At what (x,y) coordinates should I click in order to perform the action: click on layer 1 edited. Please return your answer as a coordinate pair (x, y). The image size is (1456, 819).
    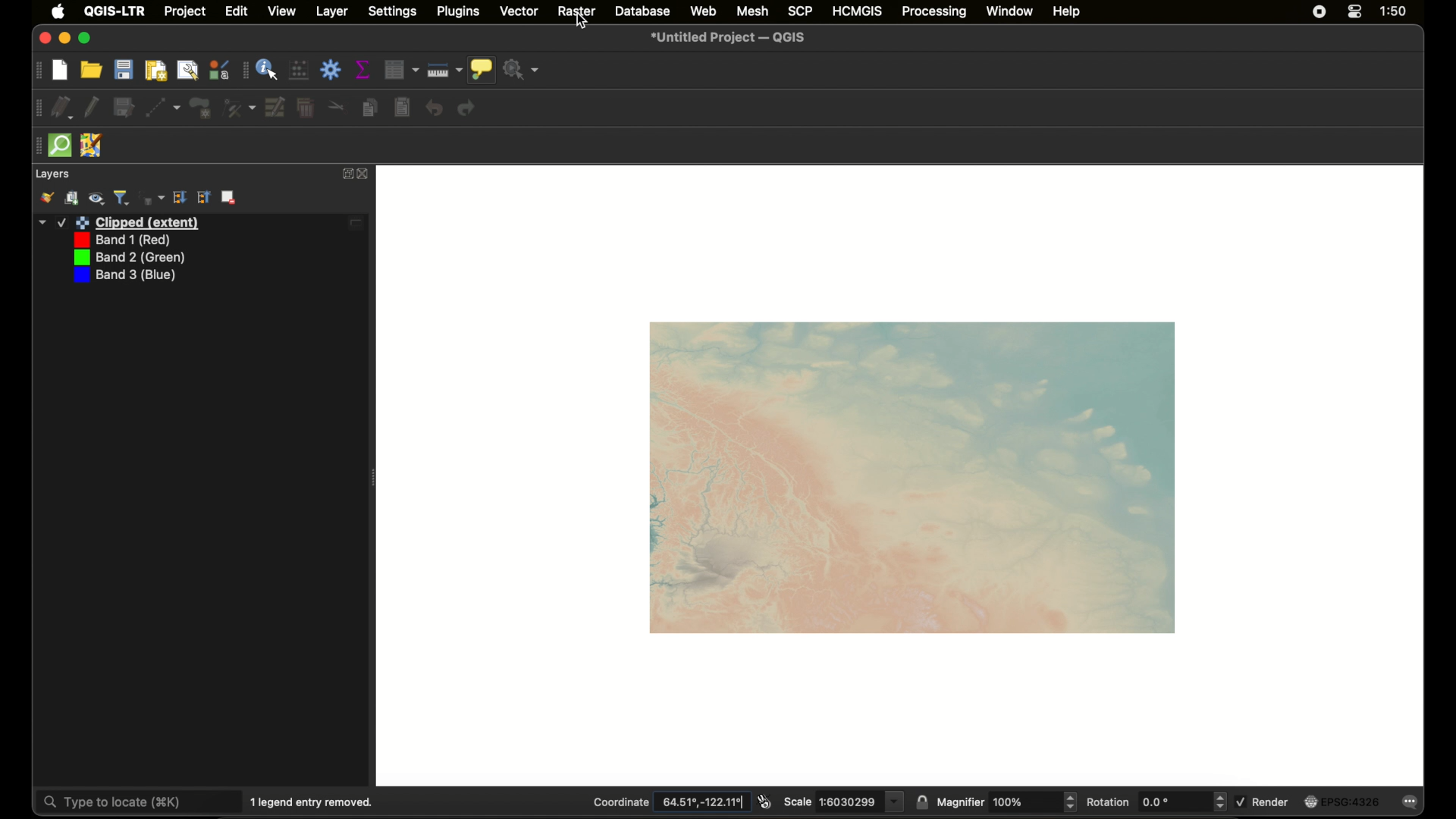
    Looking at the image, I should click on (201, 223).